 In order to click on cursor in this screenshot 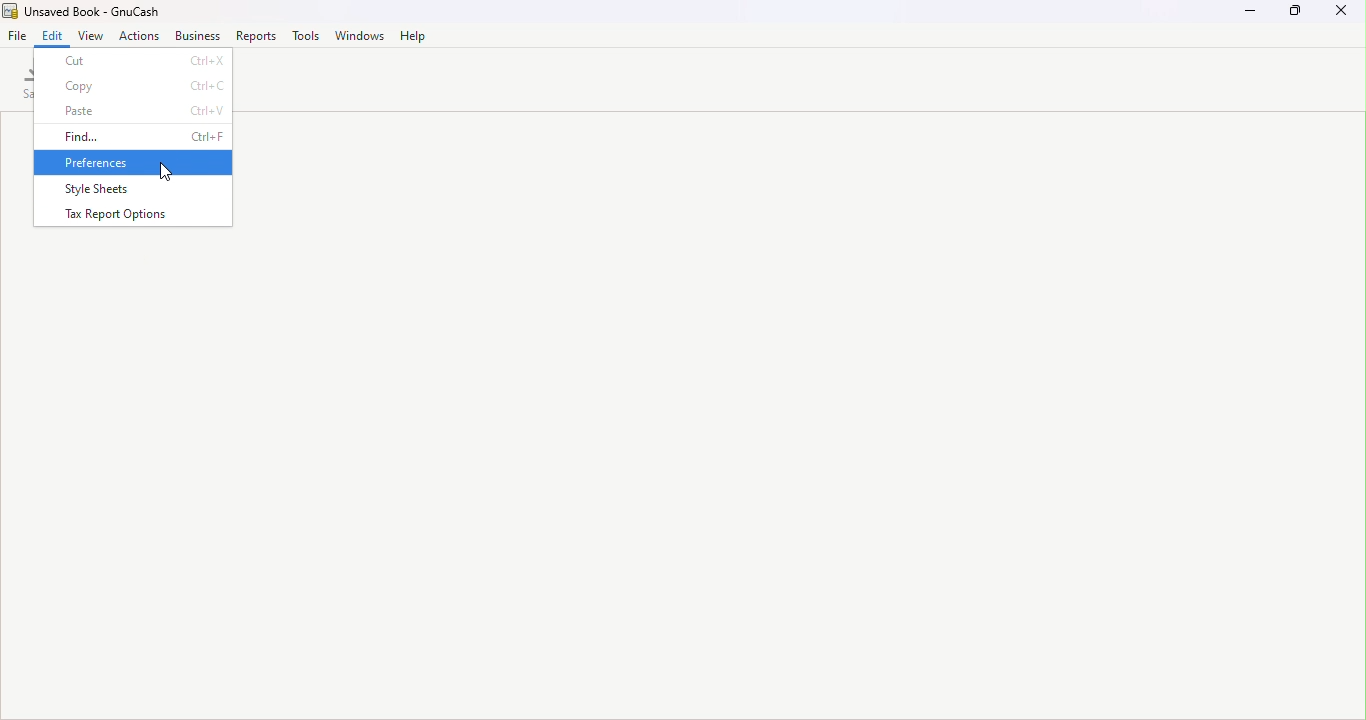, I will do `click(167, 174)`.